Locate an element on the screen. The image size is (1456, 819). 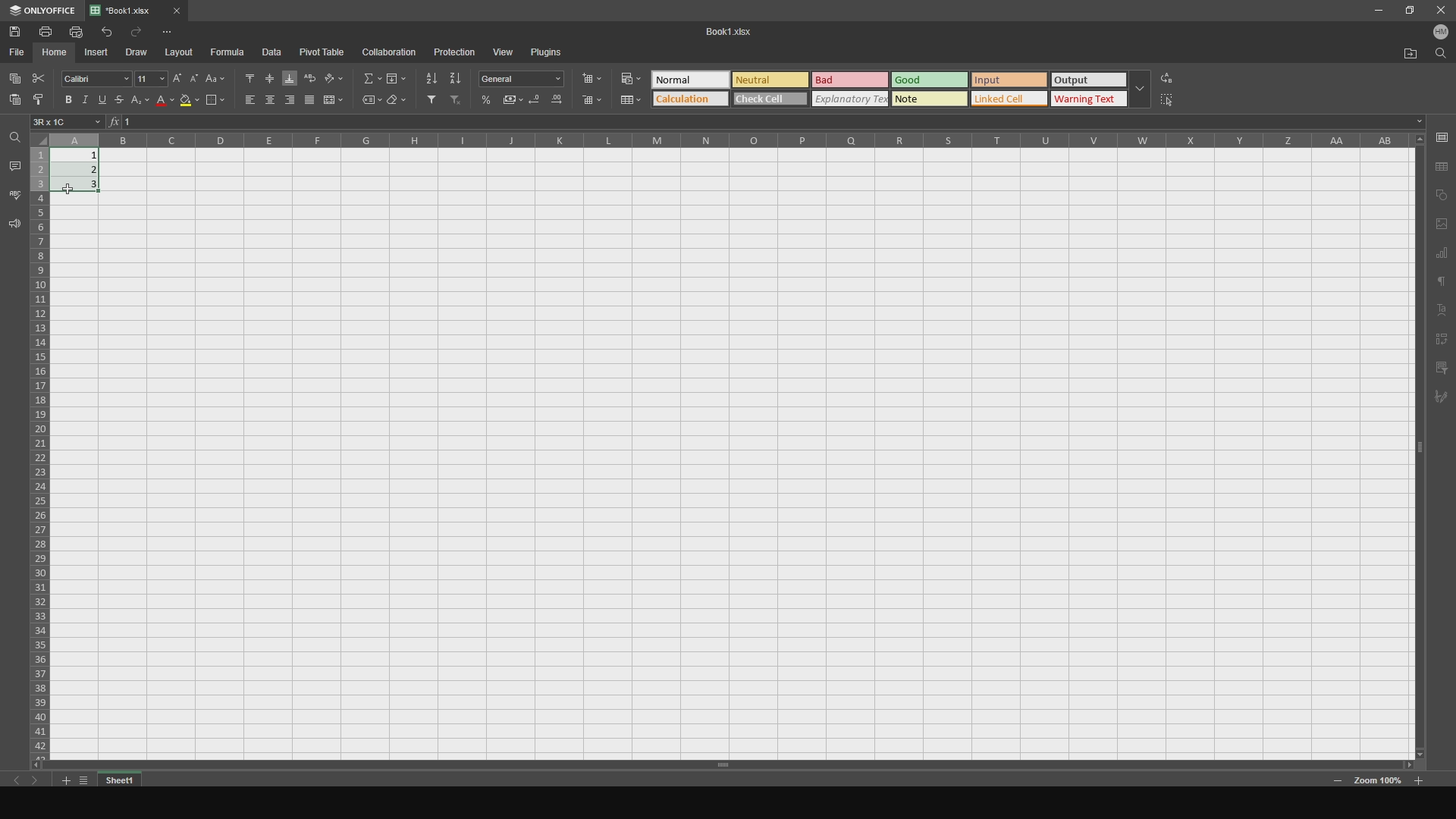
merge and center is located at coordinates (334, 101).